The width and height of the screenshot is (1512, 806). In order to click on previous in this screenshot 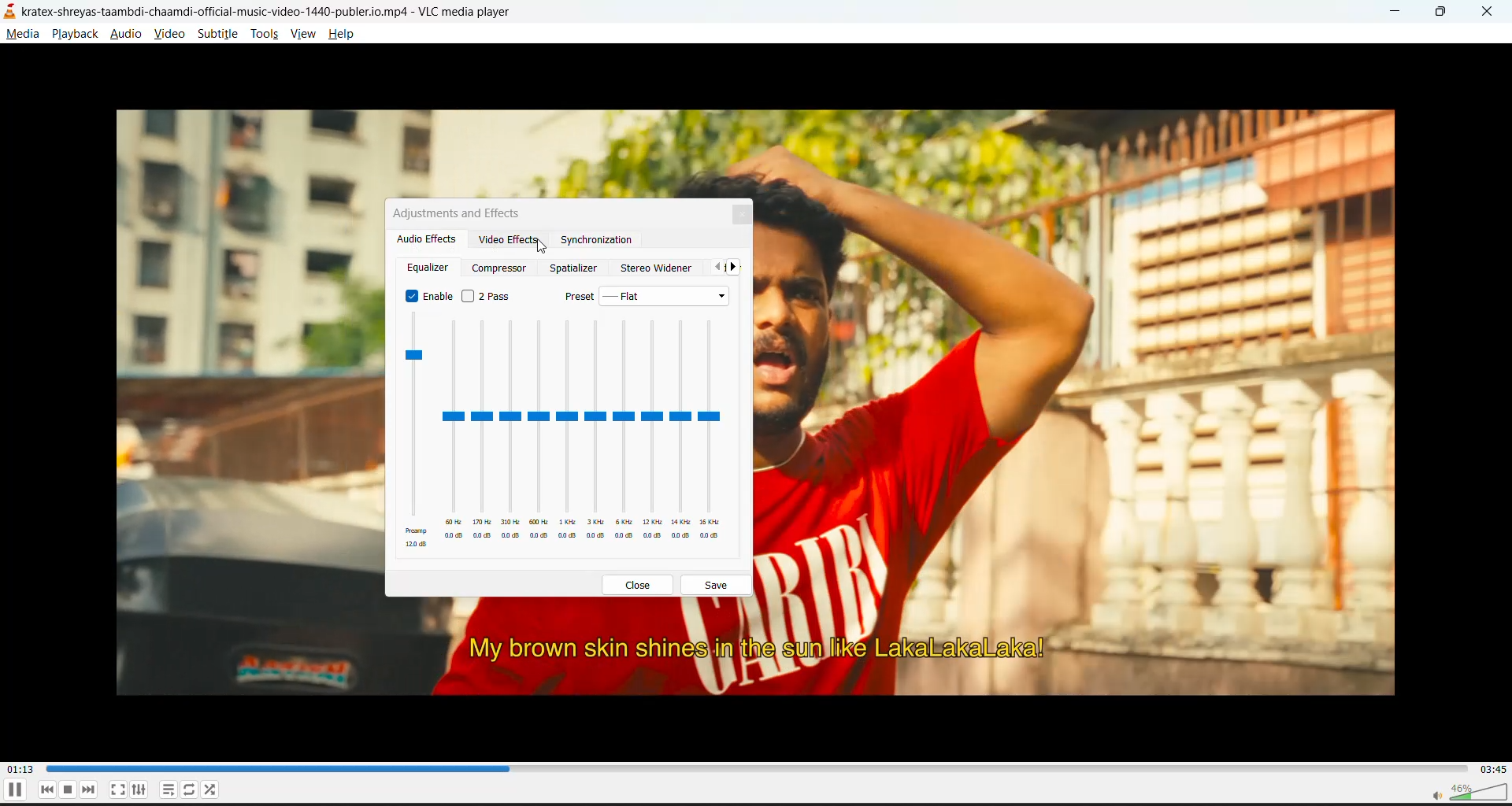, I will do `click(717, 267)`.